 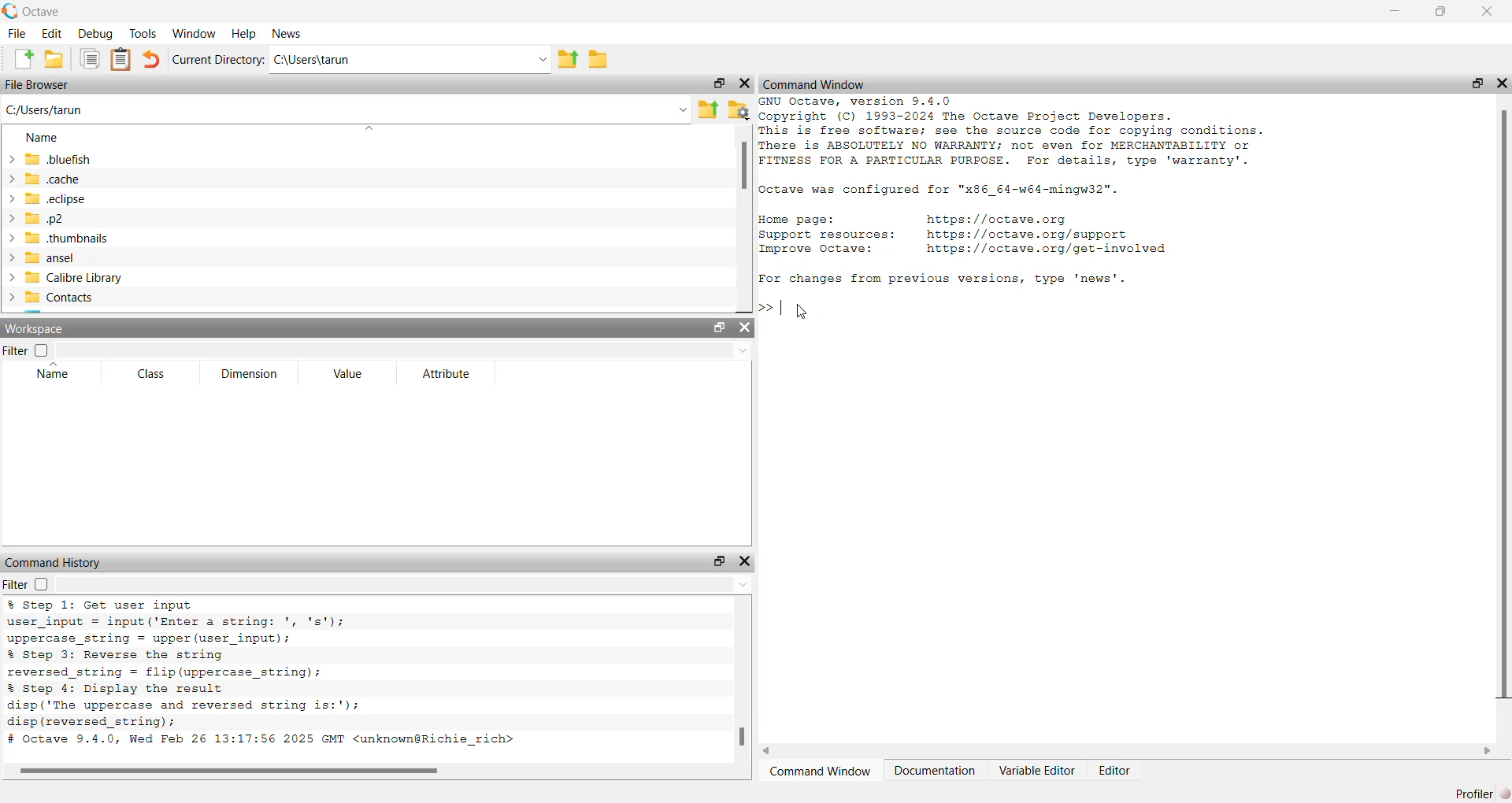 I want to click on .p2, so click(x=88, y=220).